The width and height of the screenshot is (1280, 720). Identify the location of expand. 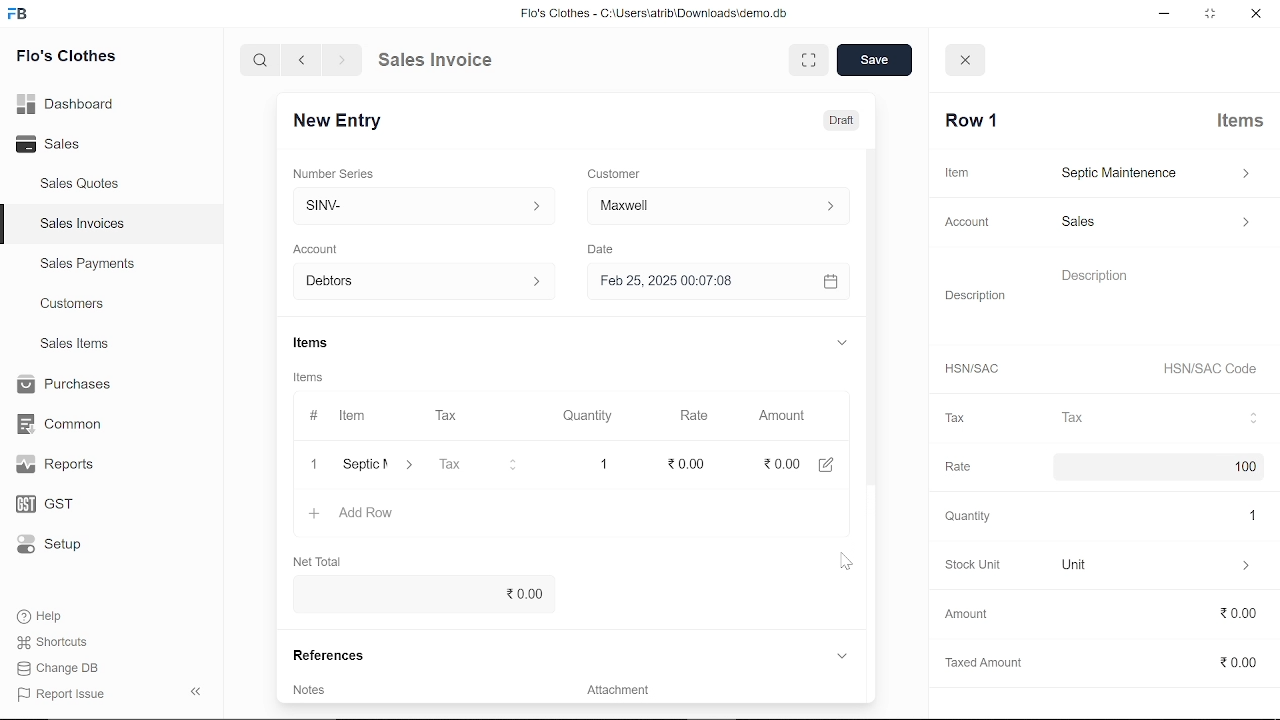
(805, 59).